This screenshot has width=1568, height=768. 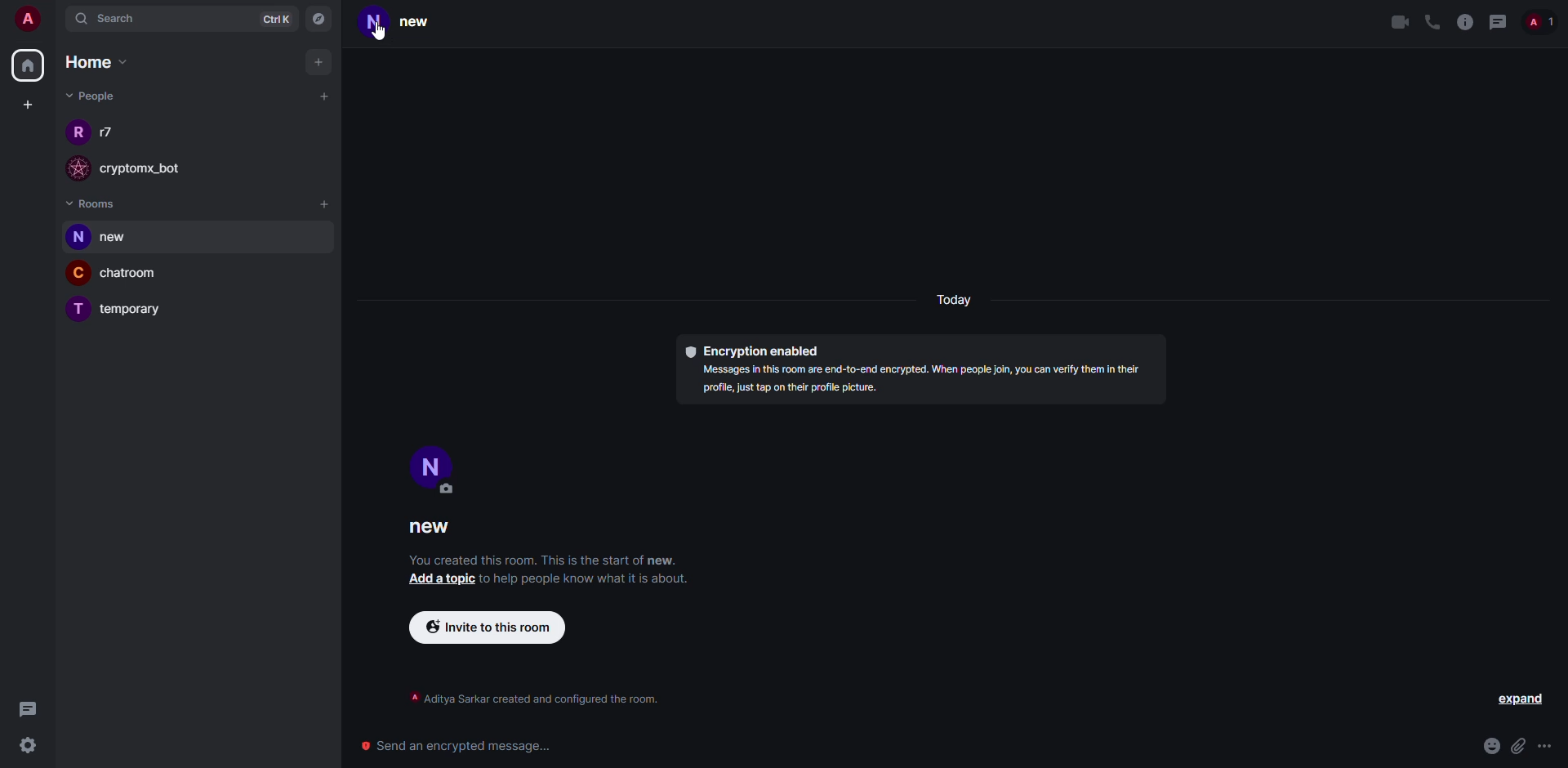 What do you see at coordinates (440, 578) in the screenshot?
I see `add topic` at bounding box center [440, 578].